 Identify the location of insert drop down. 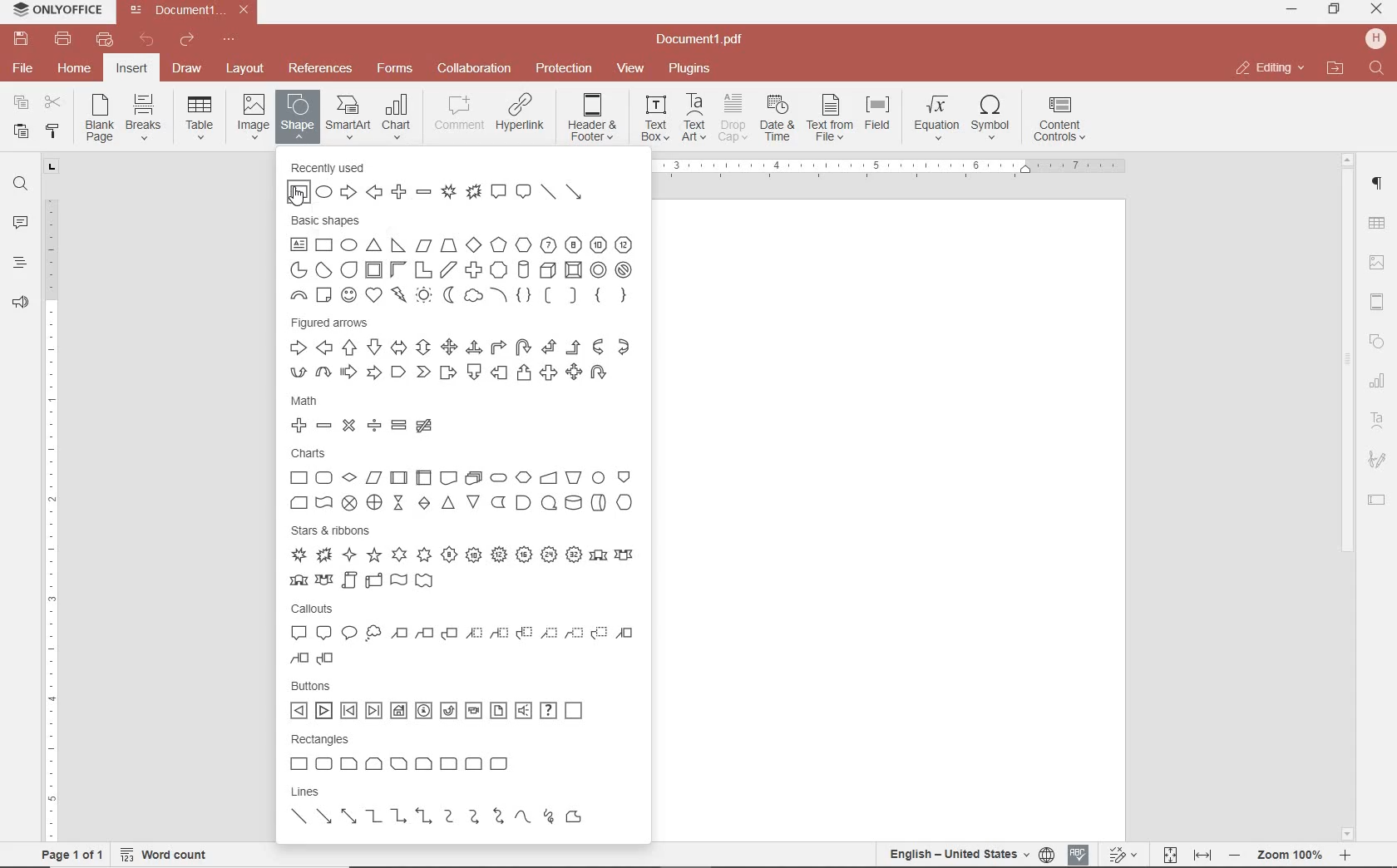
(205, 116).